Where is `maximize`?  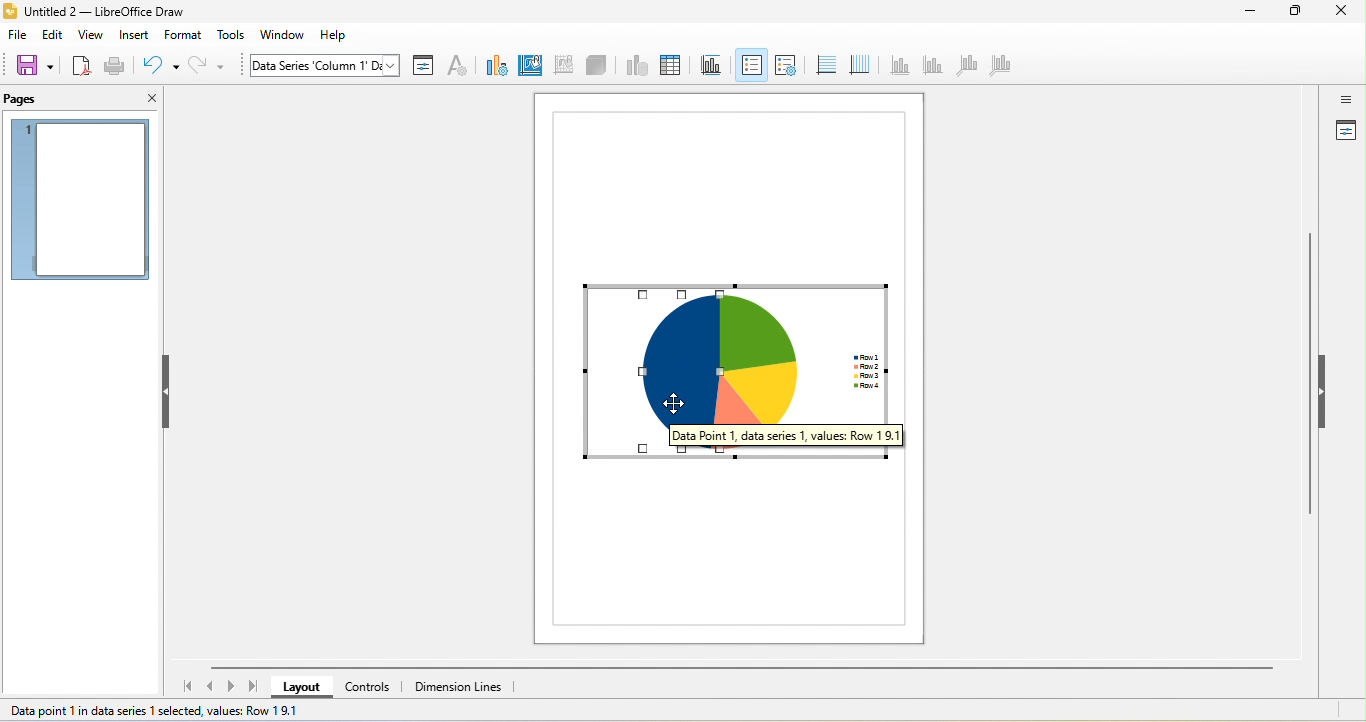
maximize is located at coordinates (1295, 12).